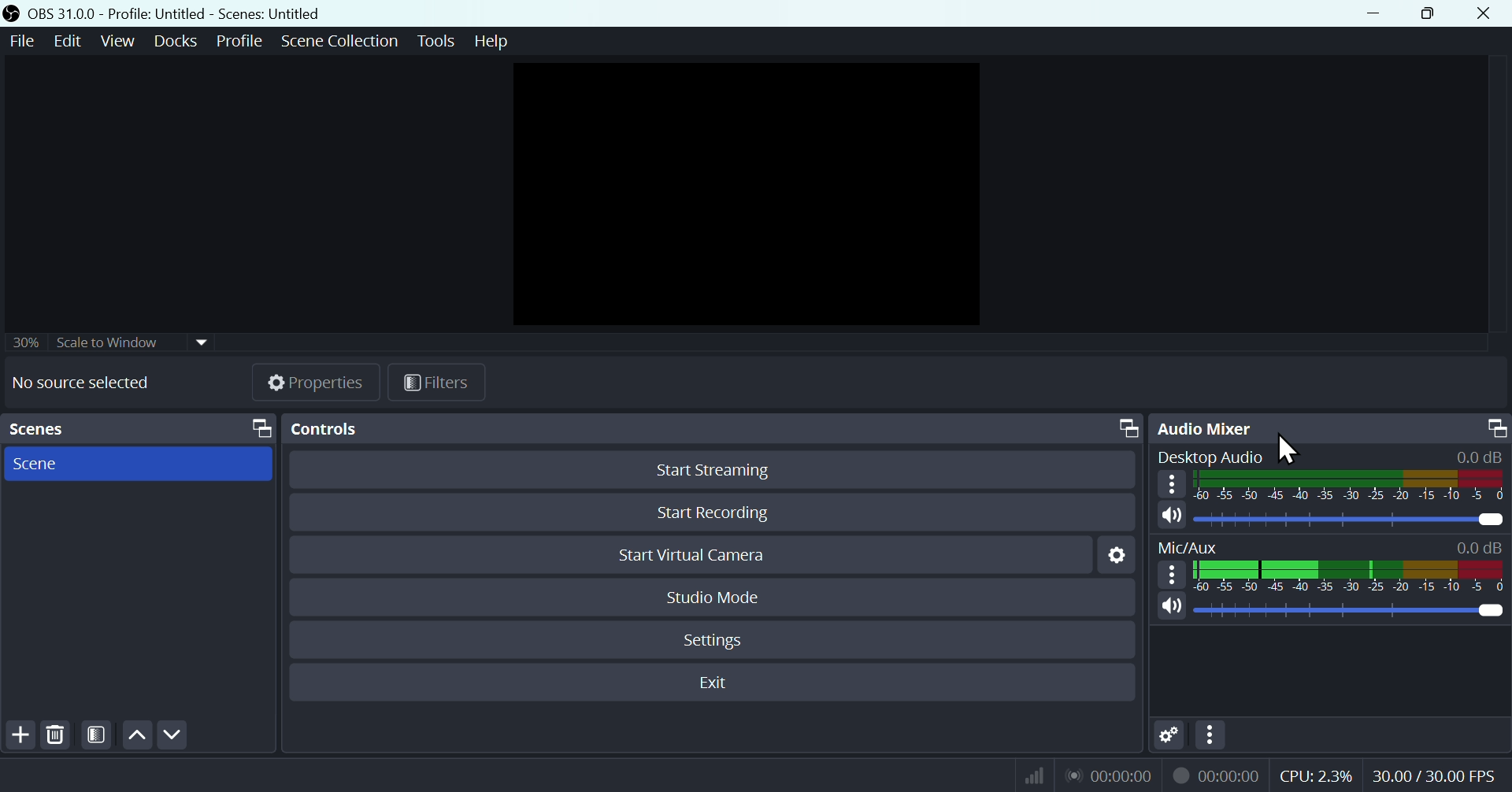 The height and width of the screenshot is (792, 1512). Describe the element at coordinates (1473, 548) in the screenshot. I see `0.0dB` at that location.